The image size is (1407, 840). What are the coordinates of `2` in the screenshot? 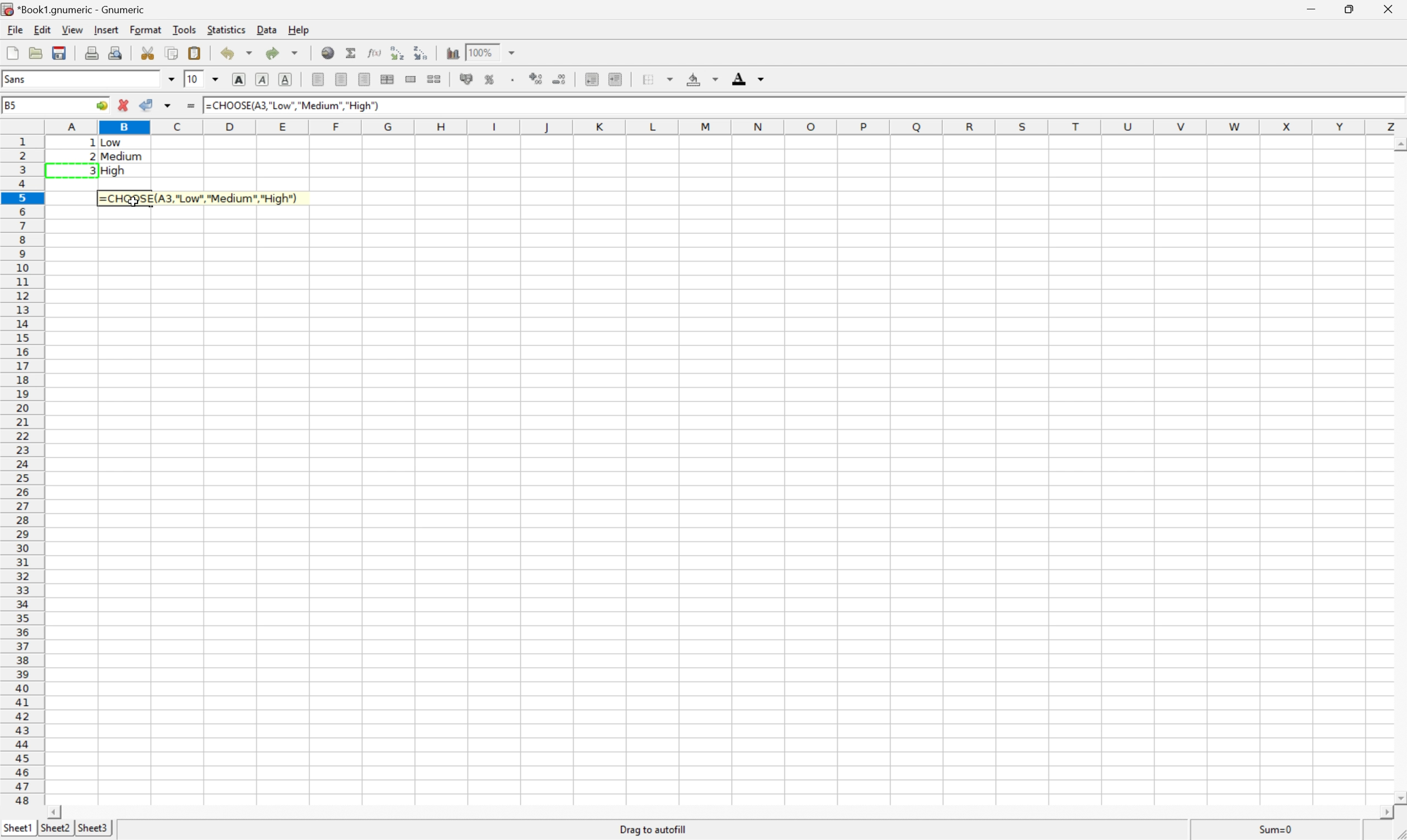 It's located at (86, 157).